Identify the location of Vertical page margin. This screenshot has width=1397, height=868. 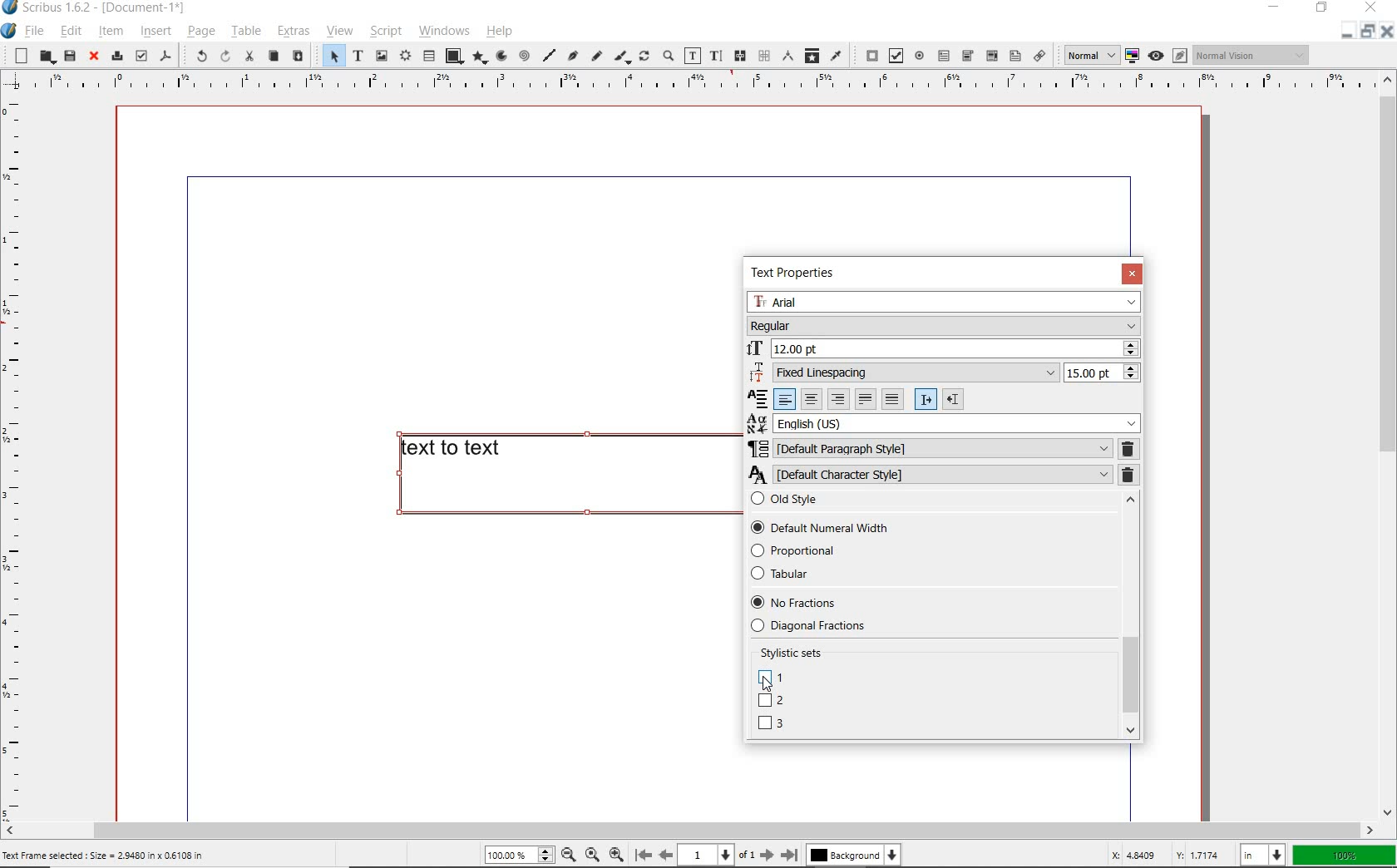
(683, 83).